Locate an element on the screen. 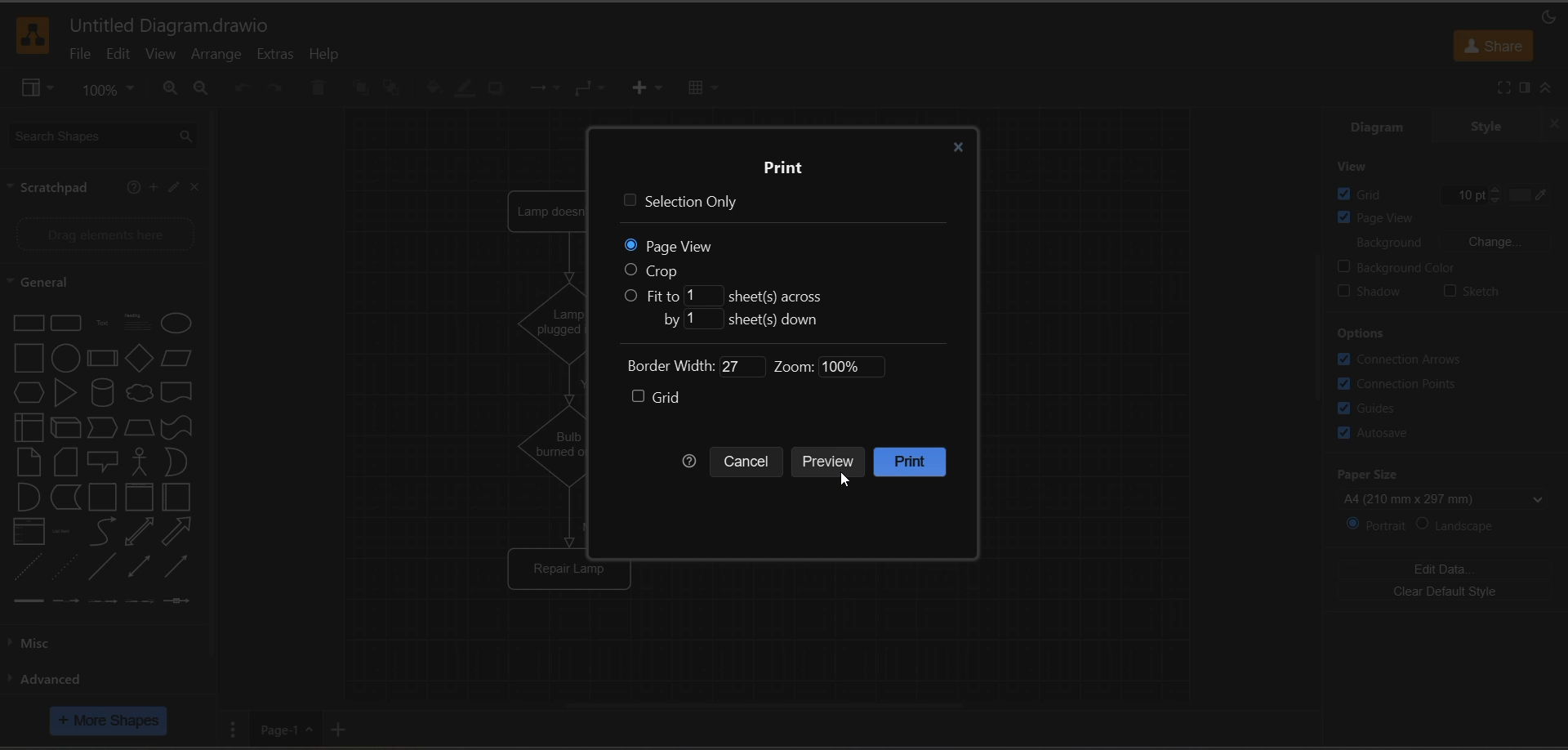 Image resolution: width=1568 pixels, height=750 pixels. extras is located at coordinates (274, 55).